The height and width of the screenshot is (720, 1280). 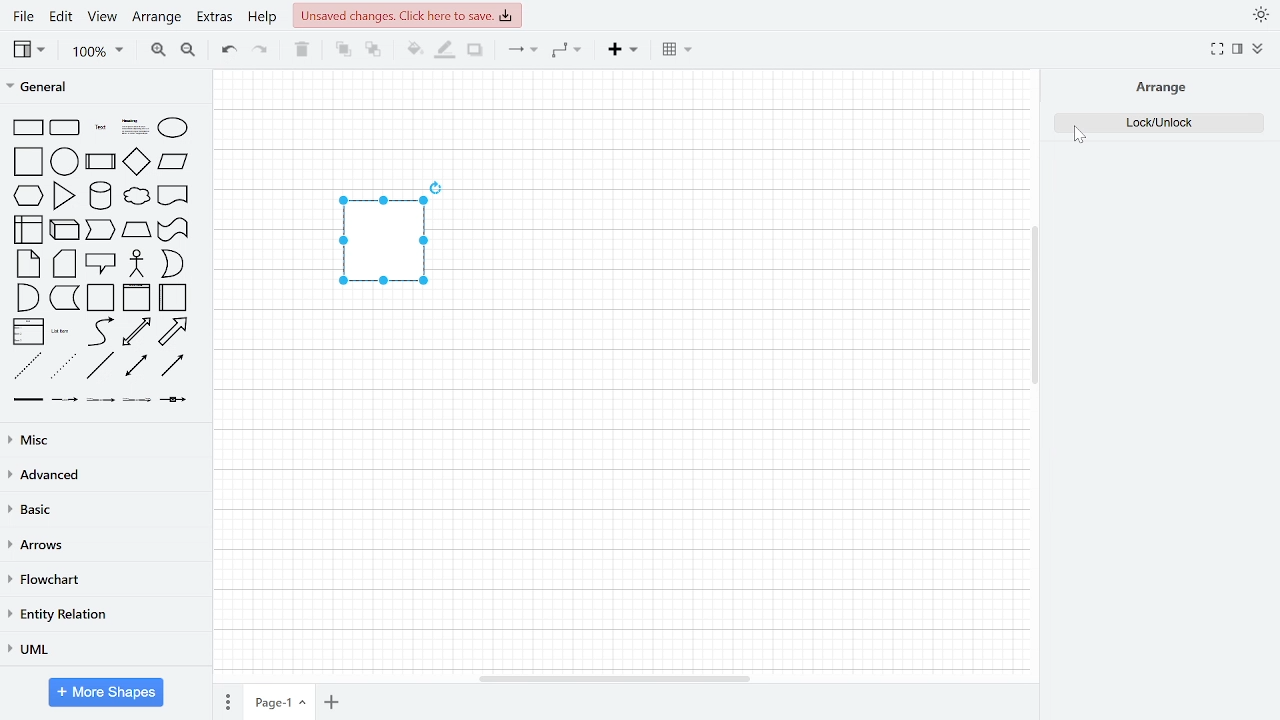 What do you see at coordinates (137, 331) in the screenshot?
I see `bidirectional arrow` at bounding box center [137, 331].